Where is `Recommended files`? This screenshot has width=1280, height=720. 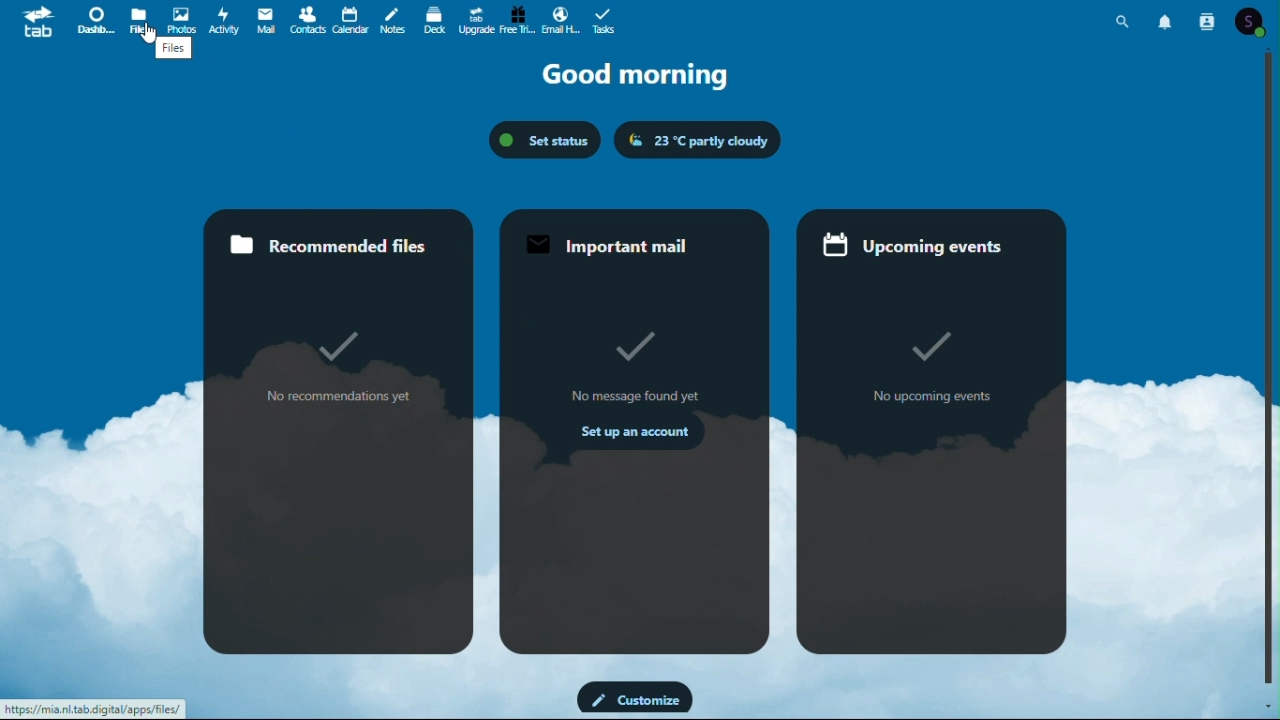 Recommended files is located at coordinates (341, 430).